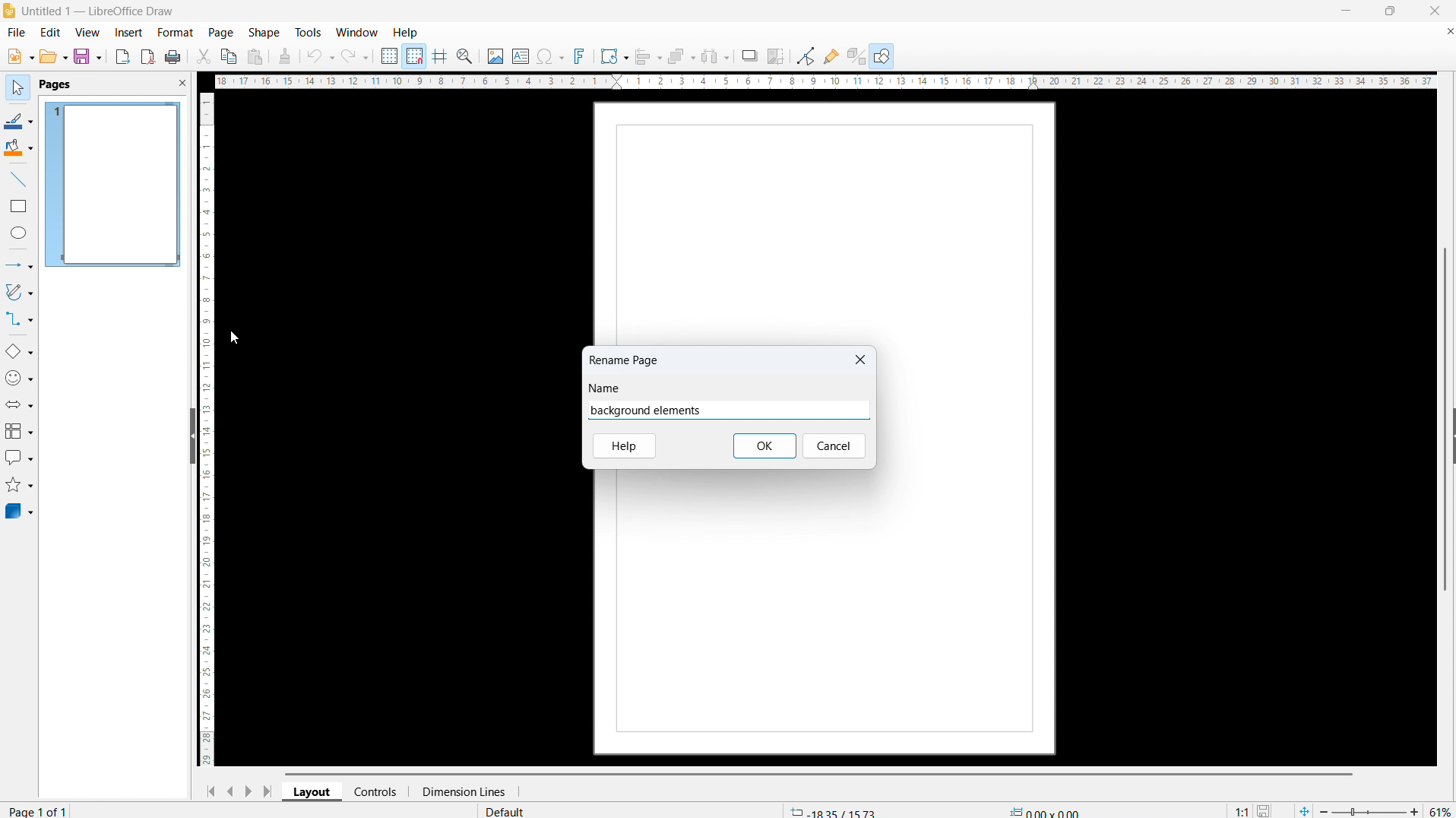 This screenshot has height=818, width=1456. Describe the element at coordinates (495, 55) in the screenshot. I see `Insert image` at that location.